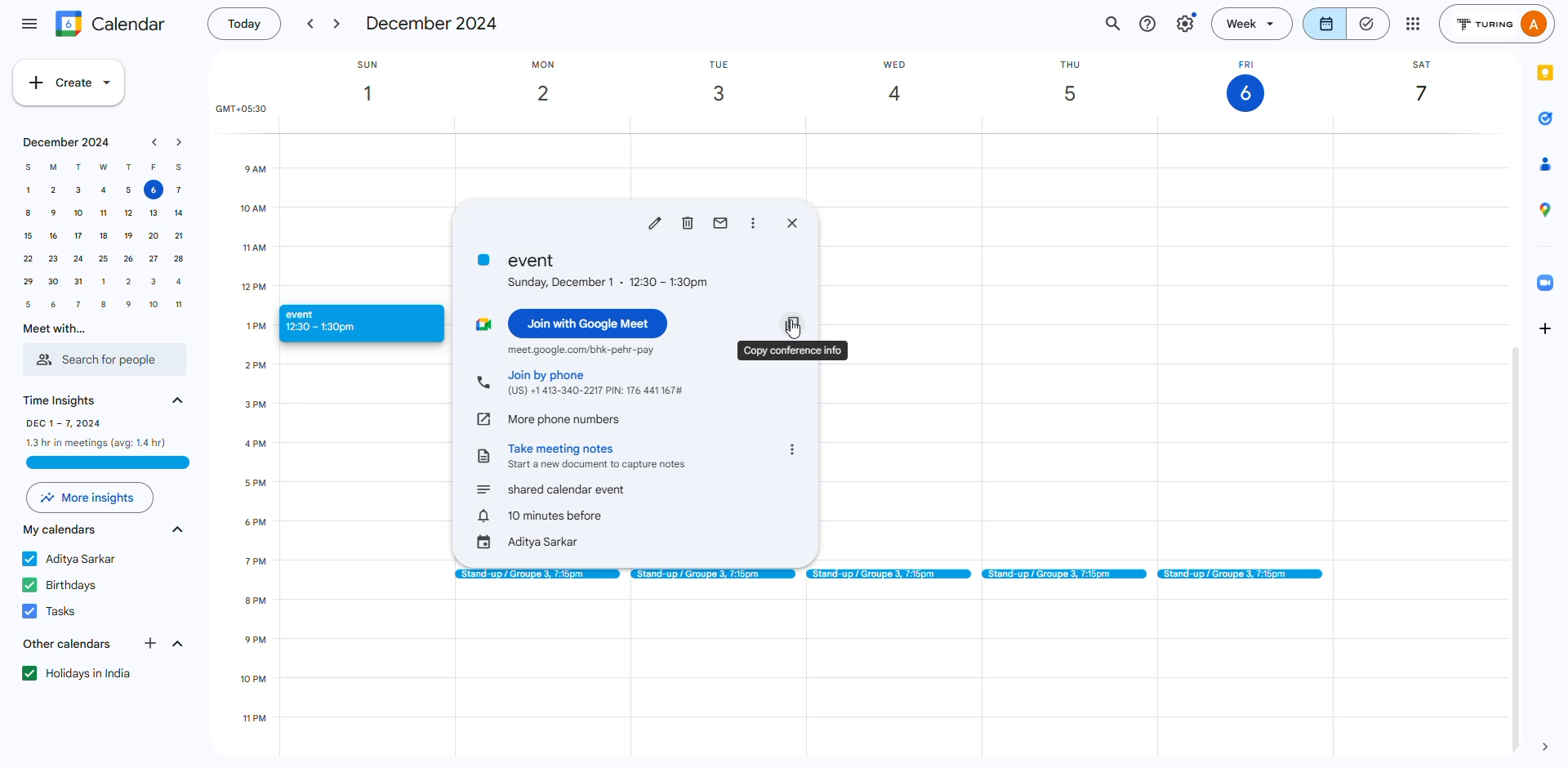  I want to click on settings, so click(1186, 23).